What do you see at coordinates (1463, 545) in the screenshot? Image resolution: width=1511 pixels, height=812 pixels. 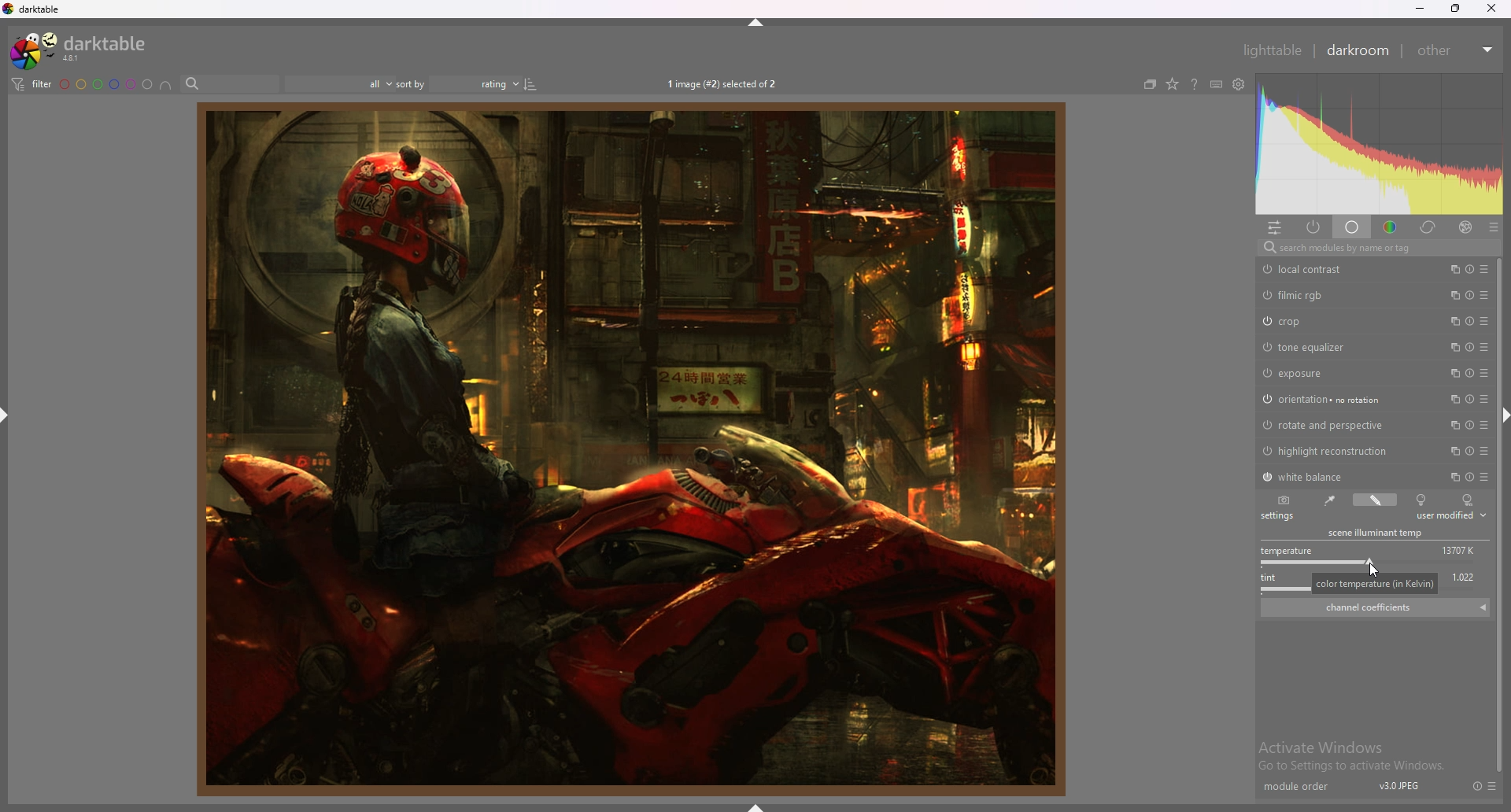 I see `13707 k` at bounding box center [1463, 545].